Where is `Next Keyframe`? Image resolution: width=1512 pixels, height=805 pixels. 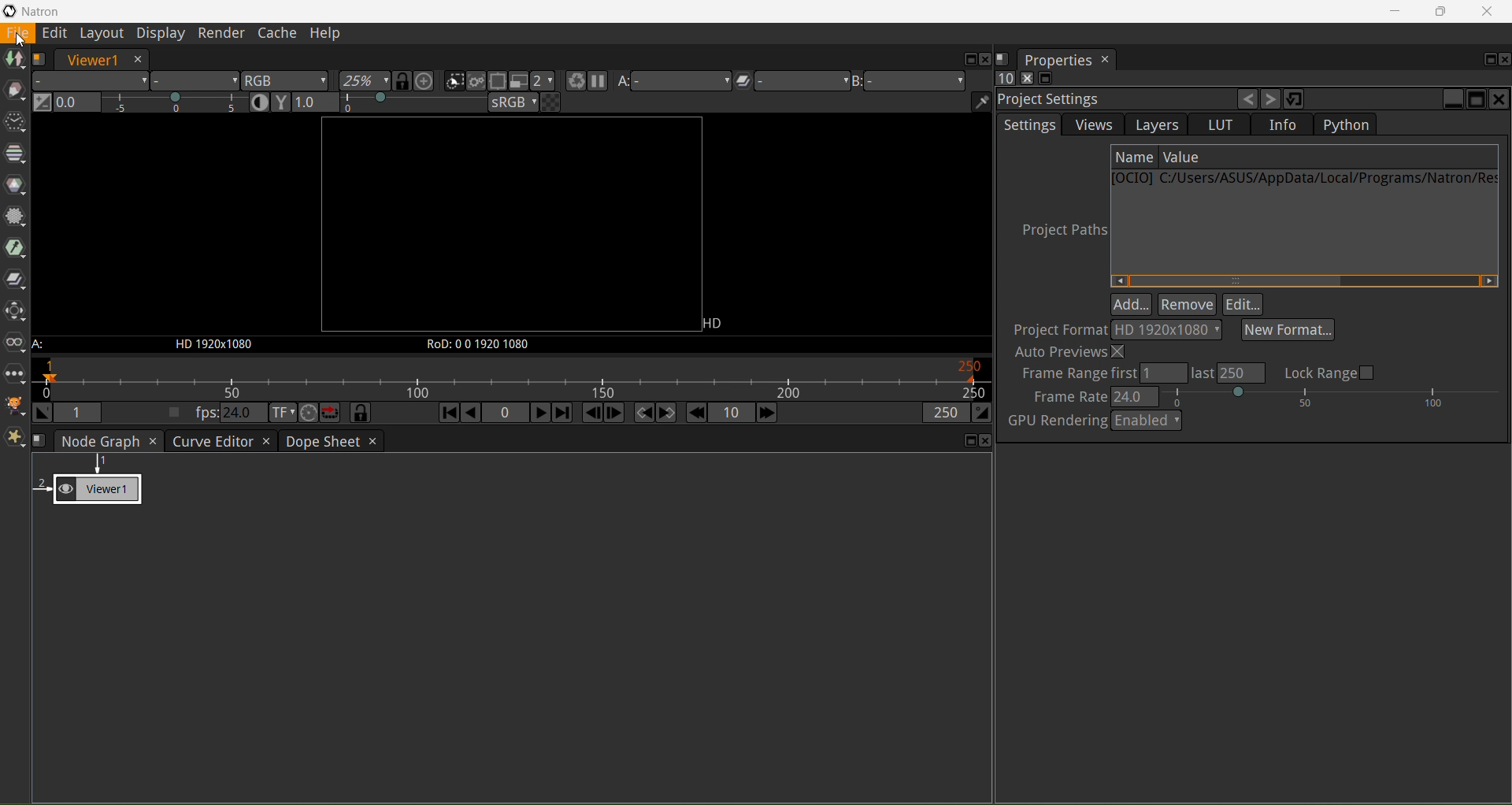 Next Keyframe is located at coordinates (668, 414).